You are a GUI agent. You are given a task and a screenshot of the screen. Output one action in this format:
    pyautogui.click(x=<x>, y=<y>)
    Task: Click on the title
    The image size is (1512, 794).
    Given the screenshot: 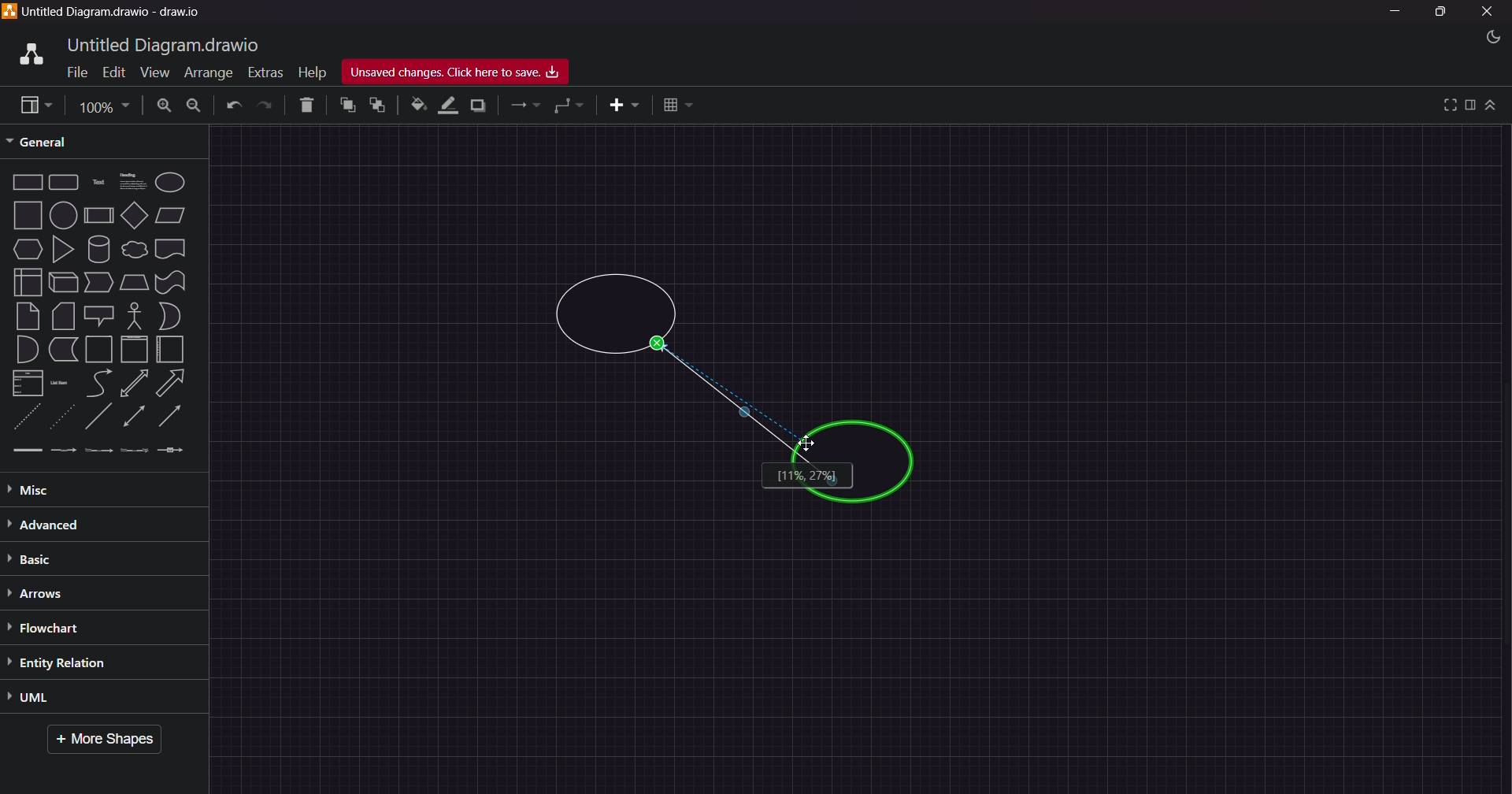 What is the action you would take?
    pyautogui.click(x=166, y=43)
    